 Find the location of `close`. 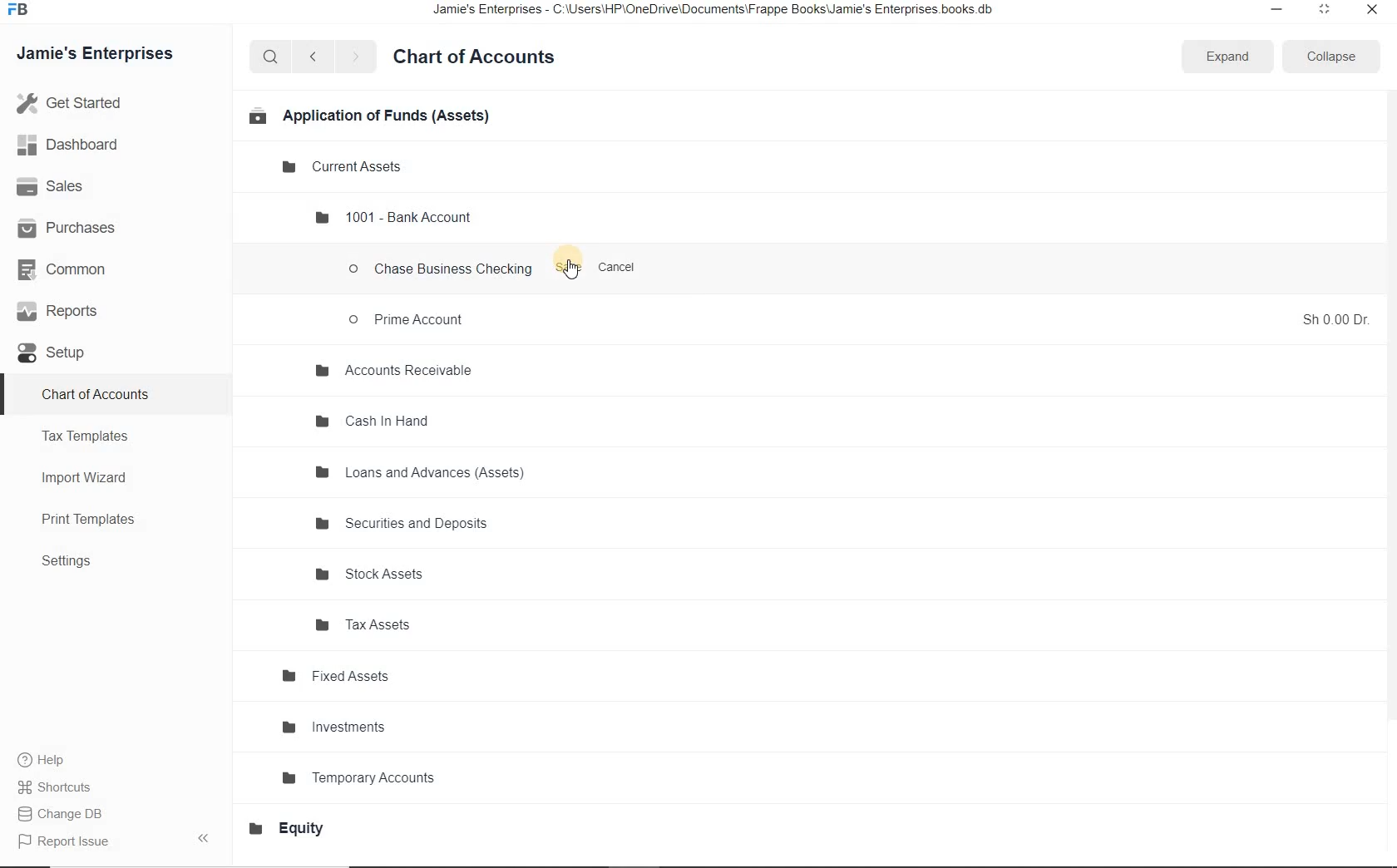

close is located at coordinates (1373, 11).